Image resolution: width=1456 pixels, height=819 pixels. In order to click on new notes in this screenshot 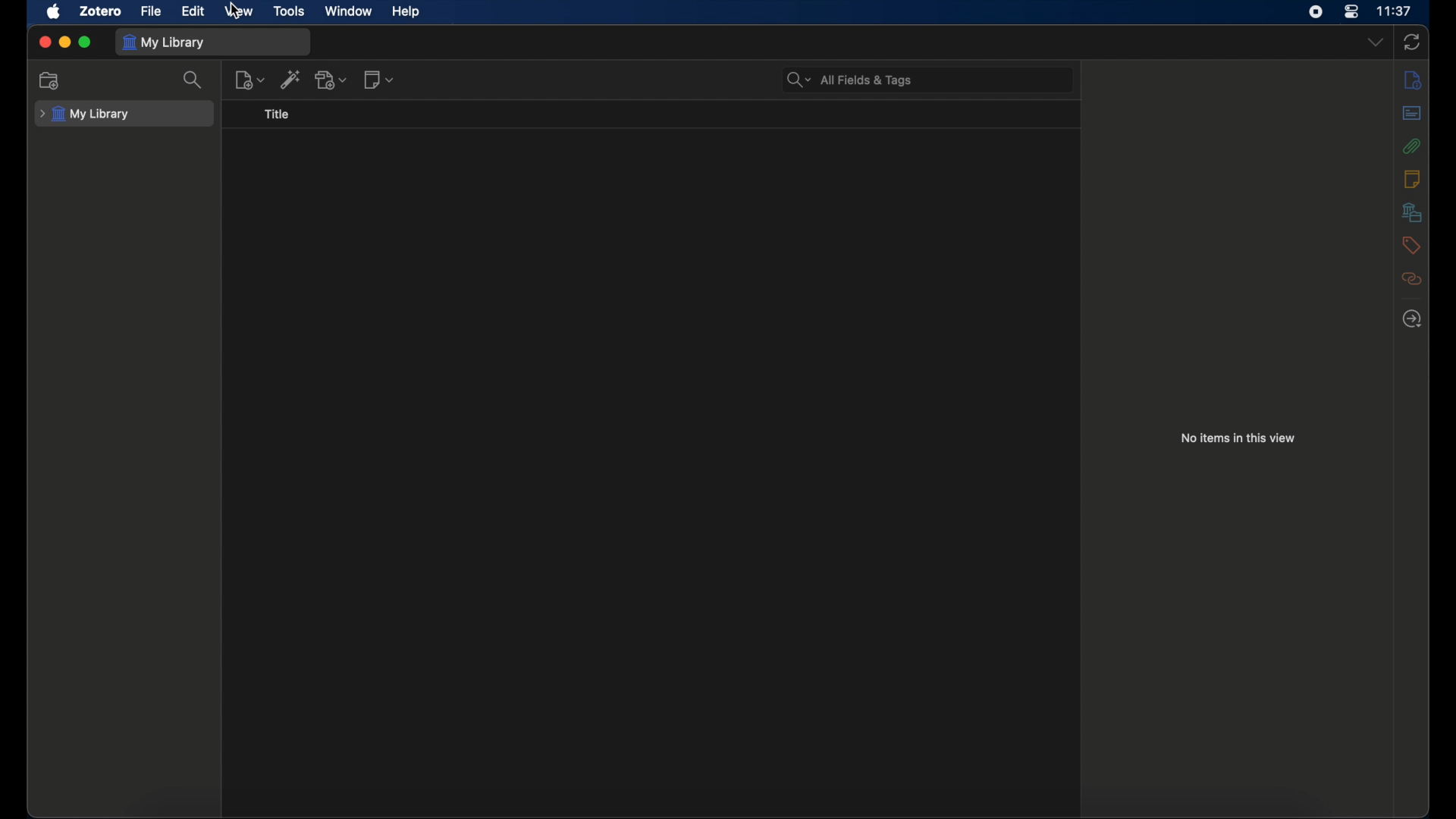, I will do `click(379, 79)`.